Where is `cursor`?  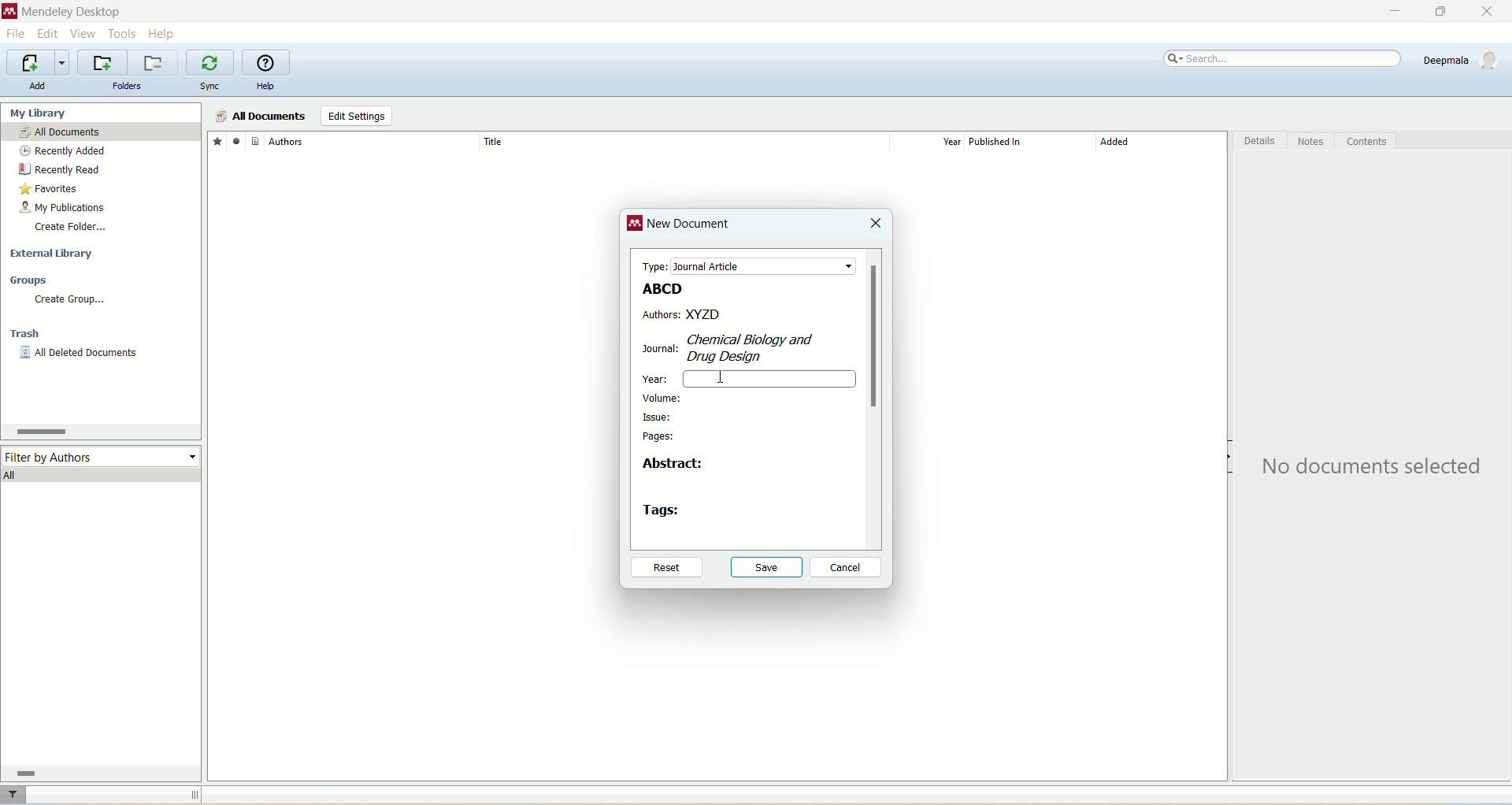
cursor is located at coordinates (716, 376).